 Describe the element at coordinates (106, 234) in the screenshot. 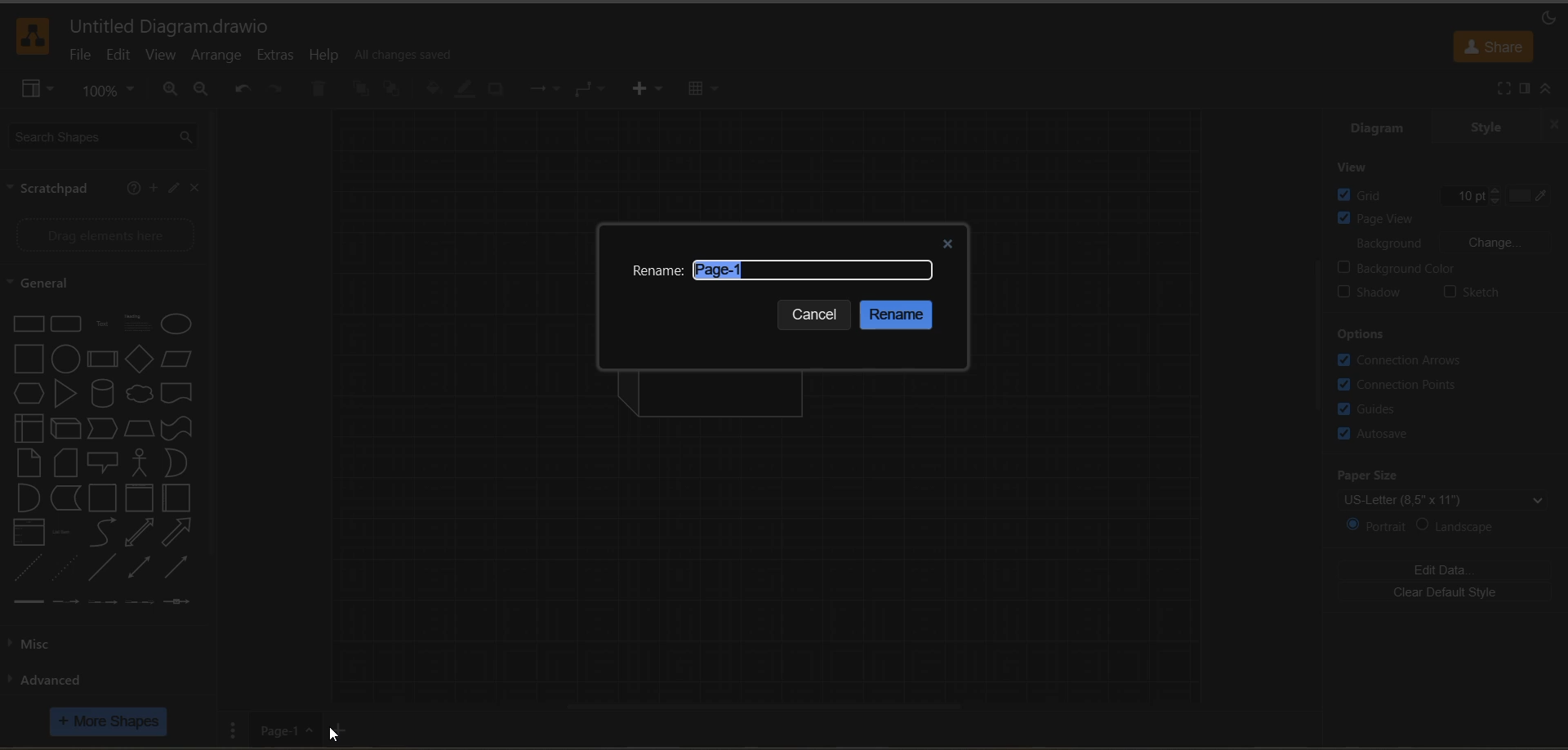

I see `Drag elements here` at that location.